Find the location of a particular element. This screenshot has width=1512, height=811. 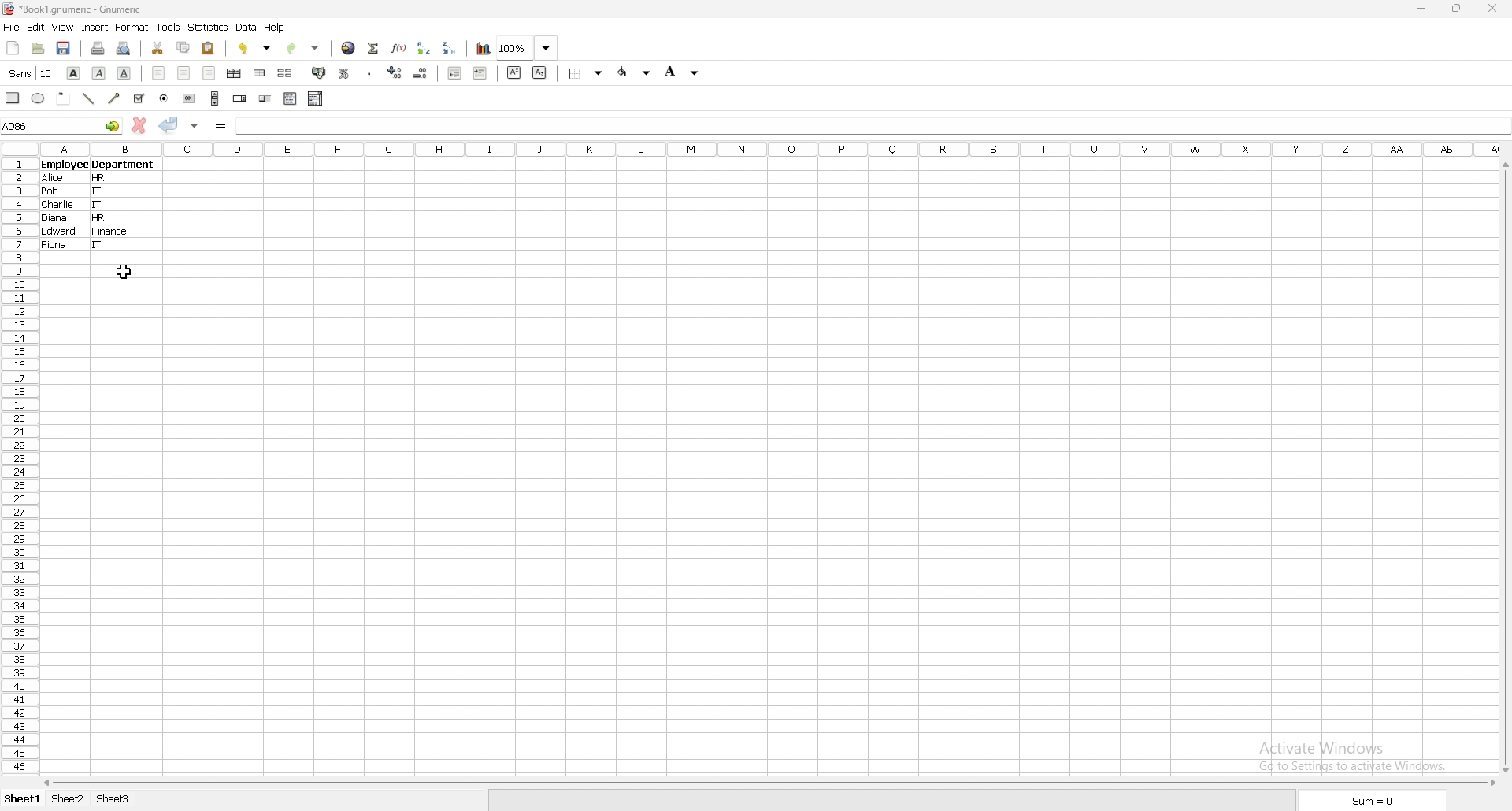

charlie is located at coordinates (61, 207).